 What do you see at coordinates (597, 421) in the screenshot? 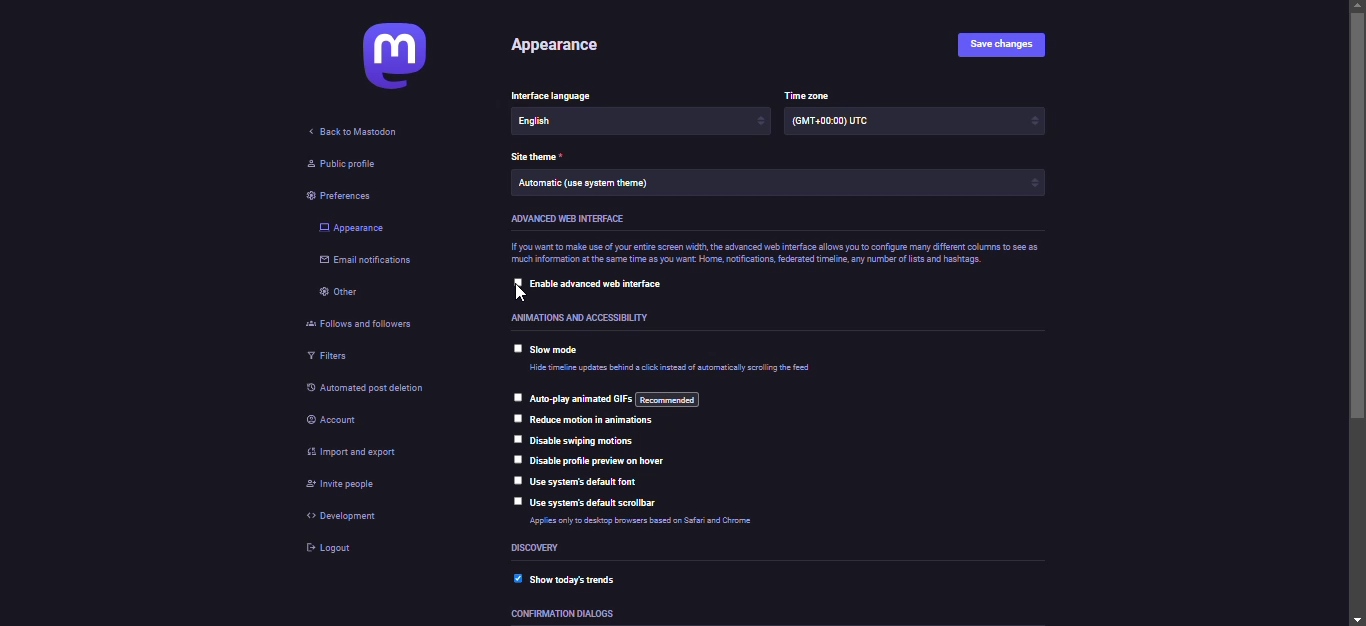
I see `reduce motions in animations` at bounding box center [597, 421].